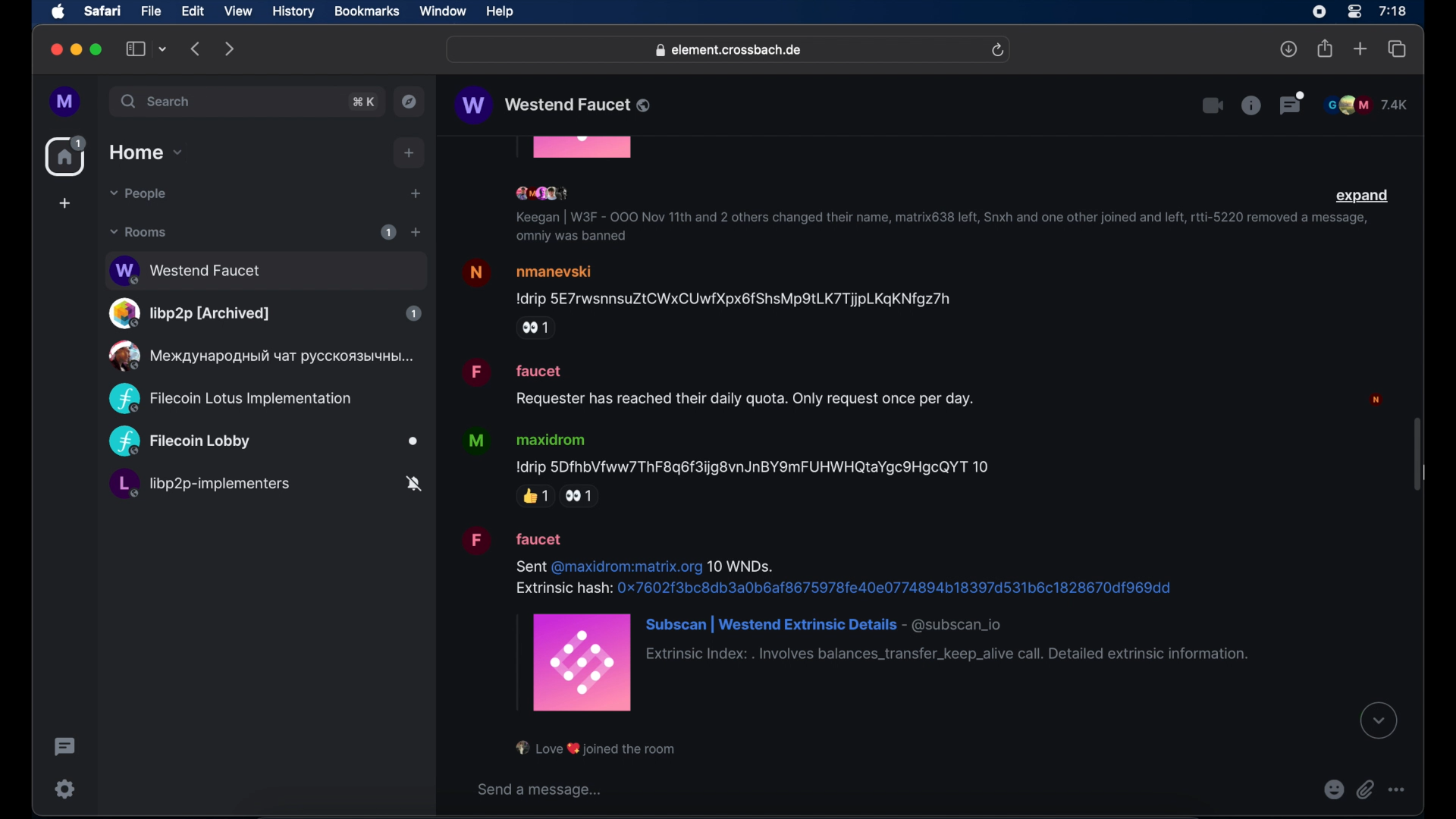  Describe the element at coordinates (102, 11) in the screenshot. I see `safari` at that location.